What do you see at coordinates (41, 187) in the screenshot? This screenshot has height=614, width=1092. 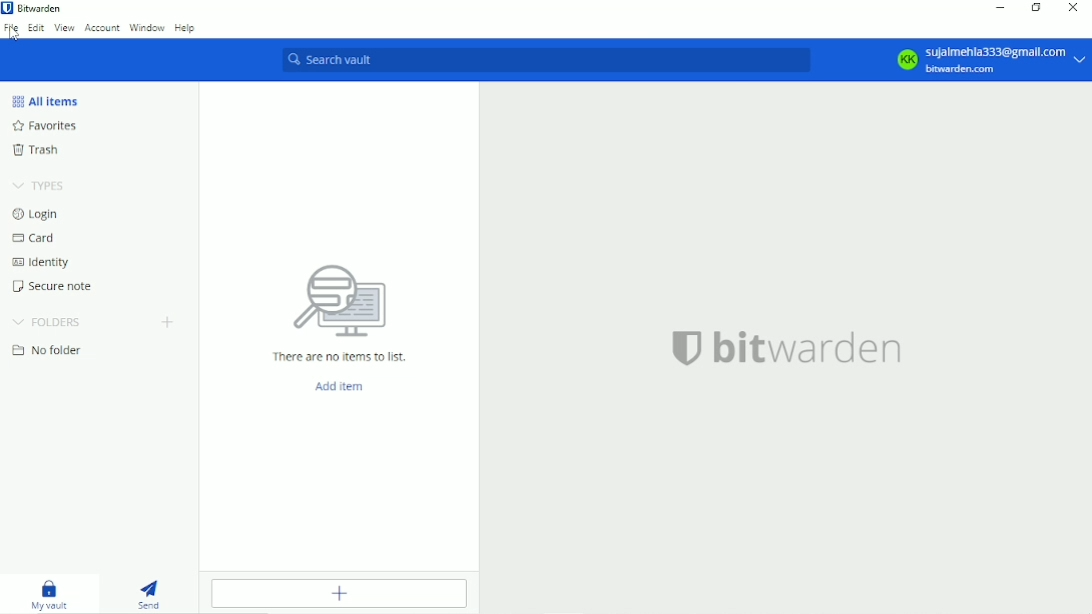 I see `Types` at bounding box center [41, 187].